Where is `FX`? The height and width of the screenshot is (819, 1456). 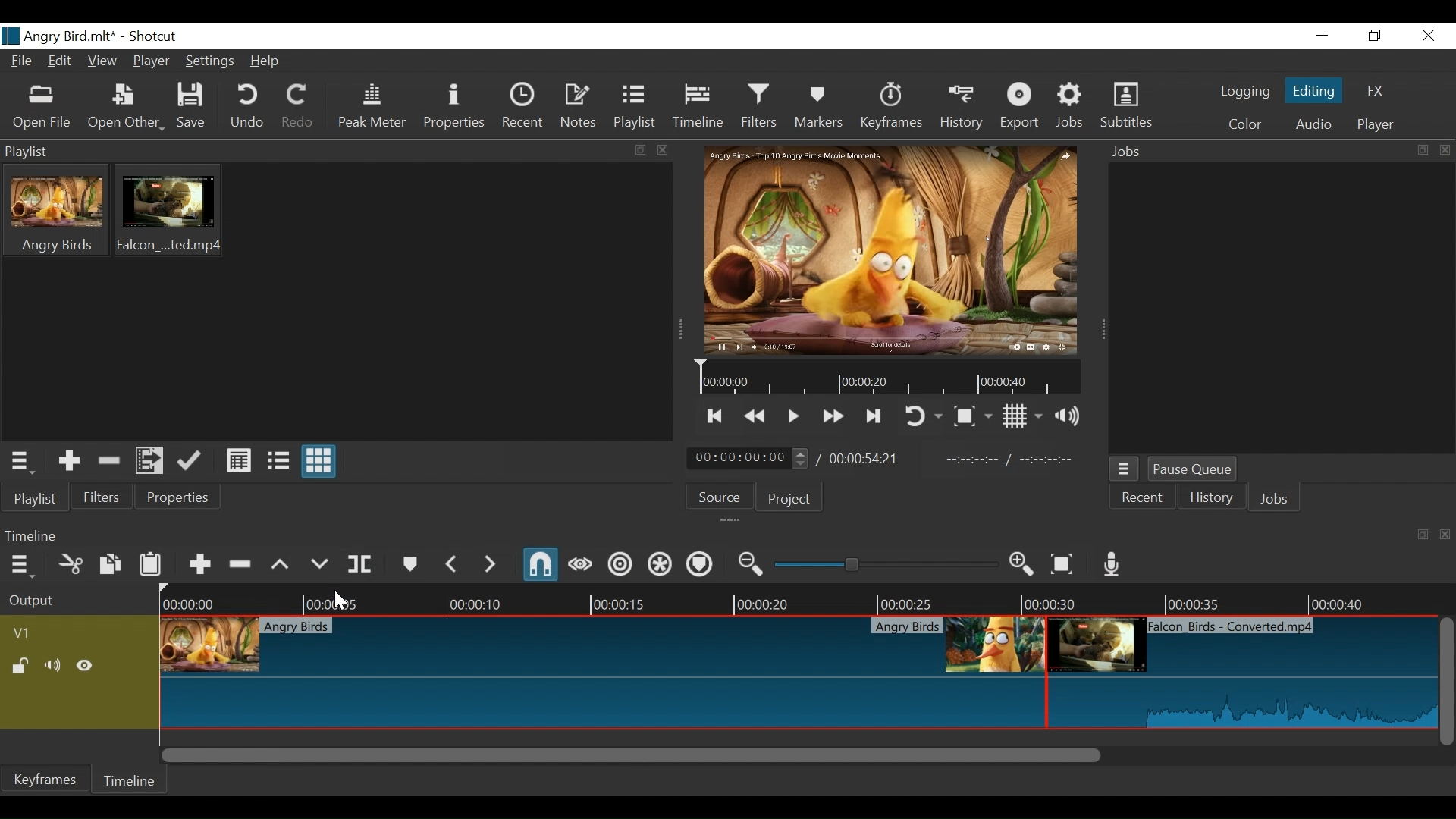 FX is located at coordinates (1380, 91).